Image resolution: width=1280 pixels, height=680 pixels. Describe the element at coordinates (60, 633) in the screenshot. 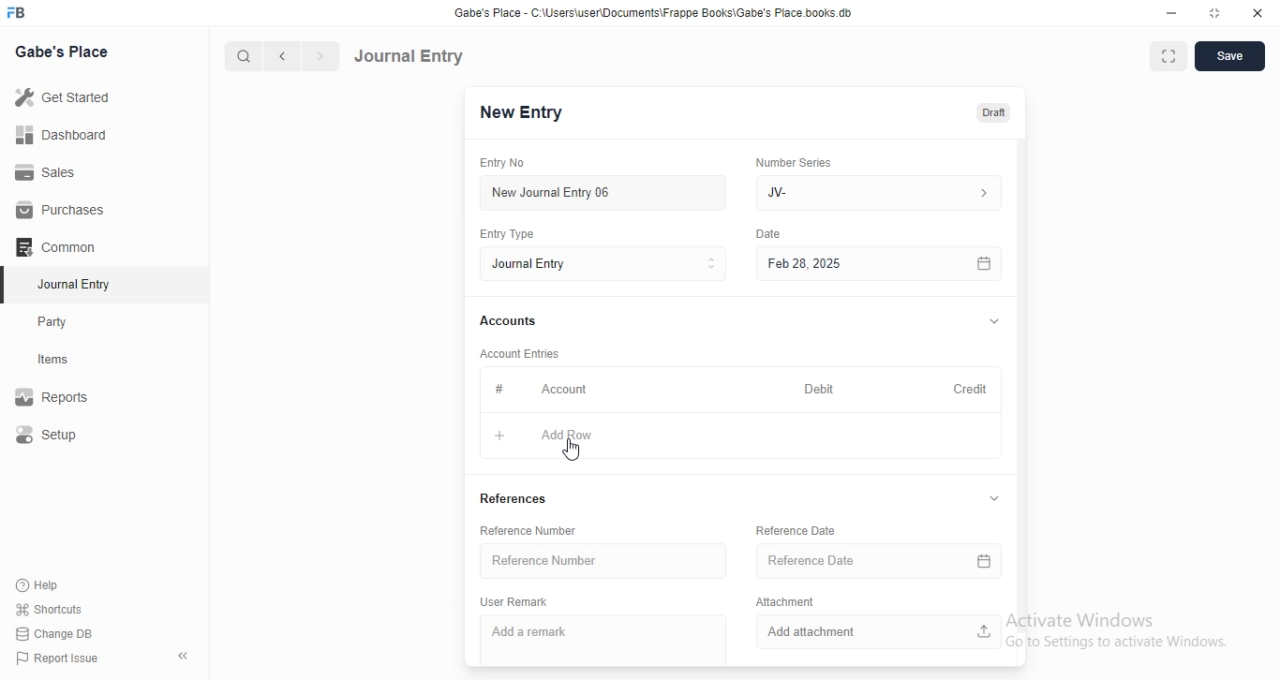

I see `Change DB` at that location.